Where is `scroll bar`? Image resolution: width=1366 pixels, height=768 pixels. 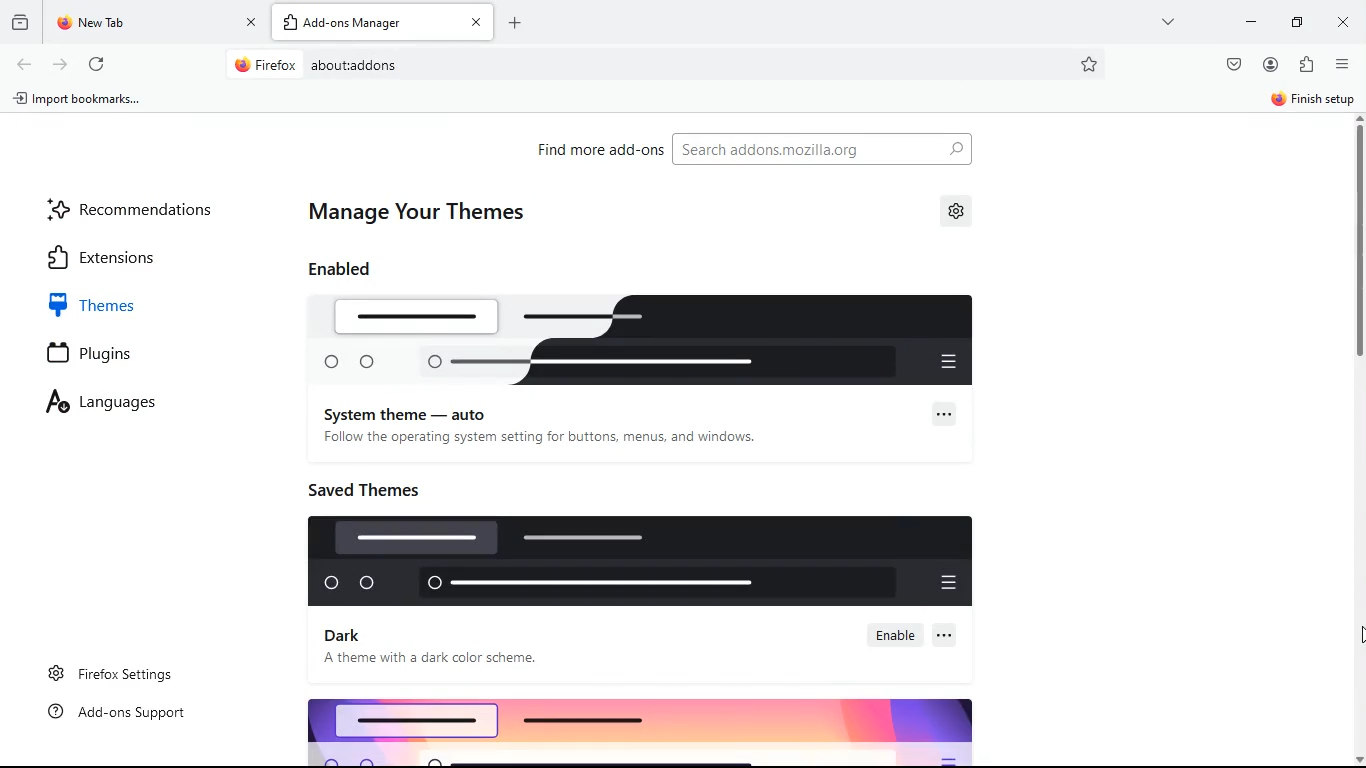 scroll bar is located at coordinates (1361, 377).